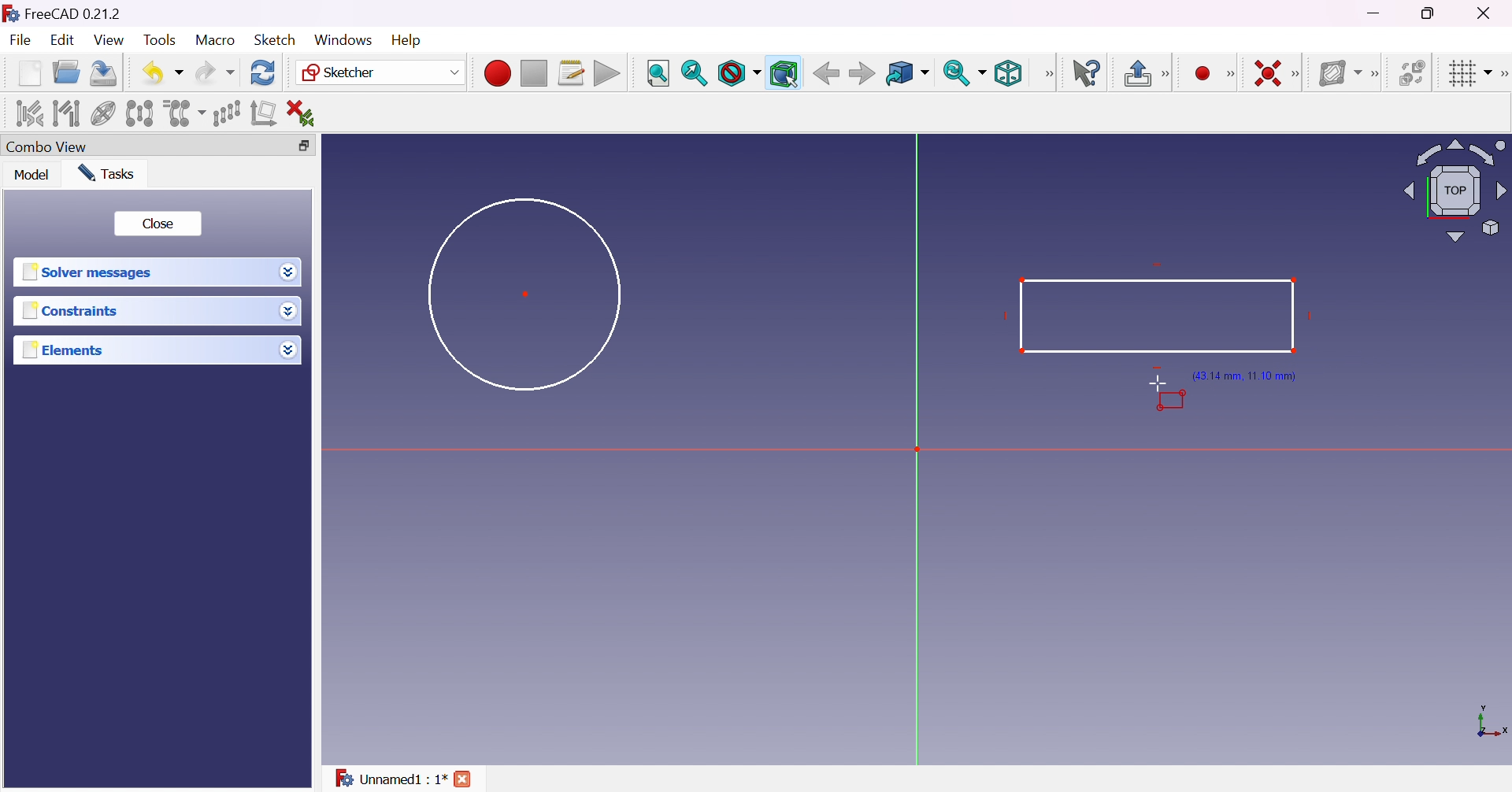  Describe the element at coordinates (527, 293) in the screenshot. I see `Dot` at that location.